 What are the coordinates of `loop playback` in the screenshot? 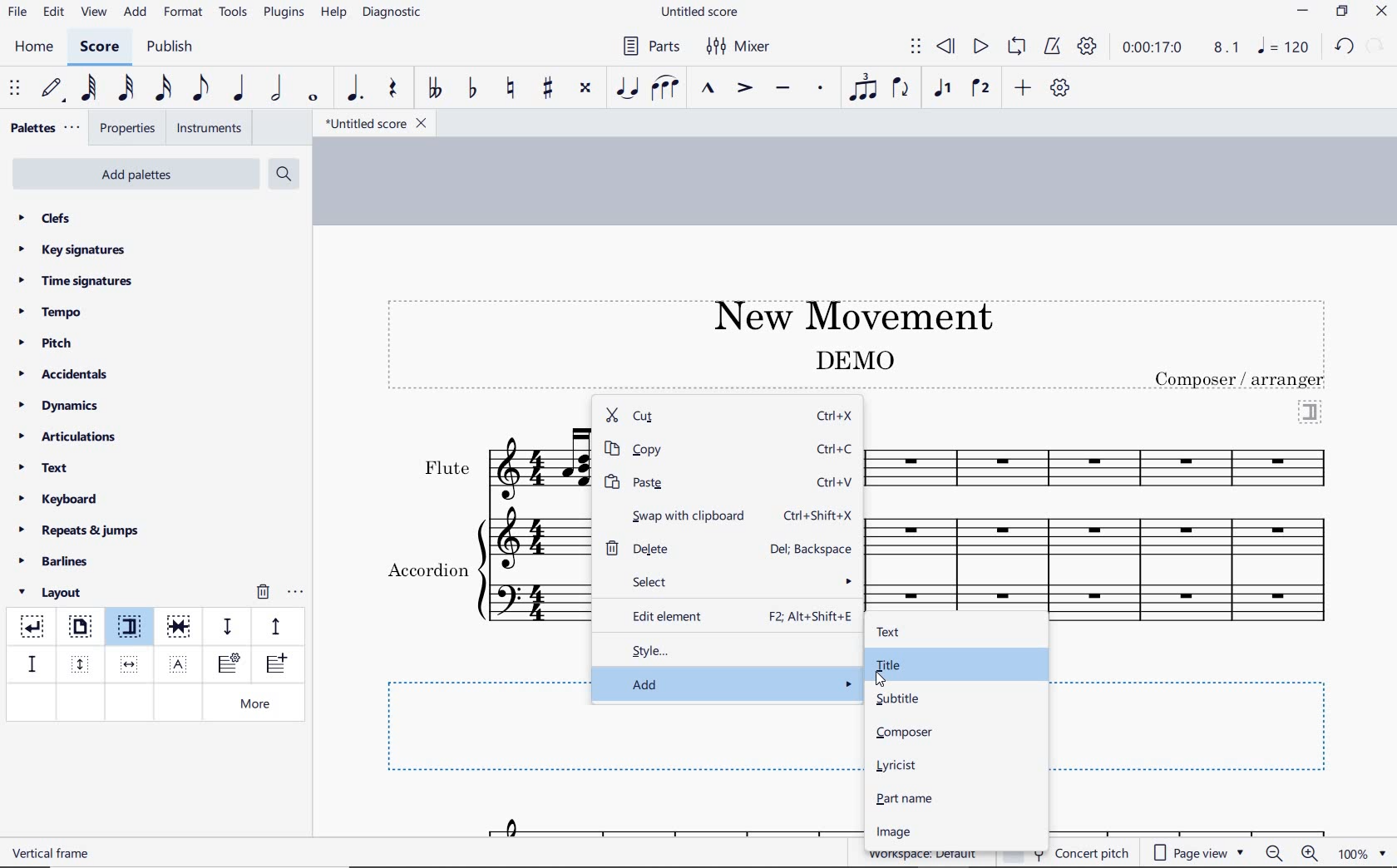 It's located at (1019, 47).